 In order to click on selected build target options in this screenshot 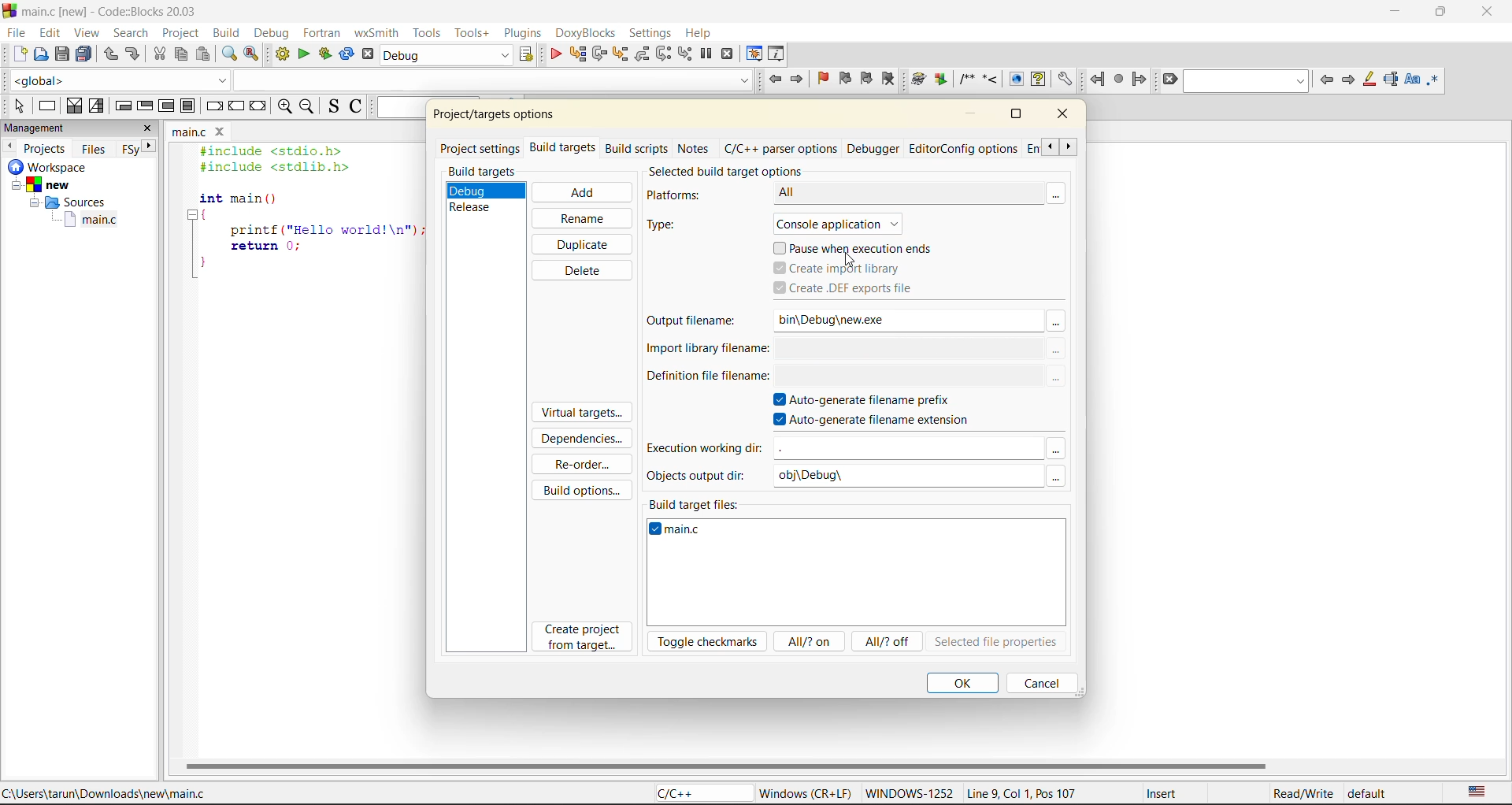, I will do `click(744, 170)`.